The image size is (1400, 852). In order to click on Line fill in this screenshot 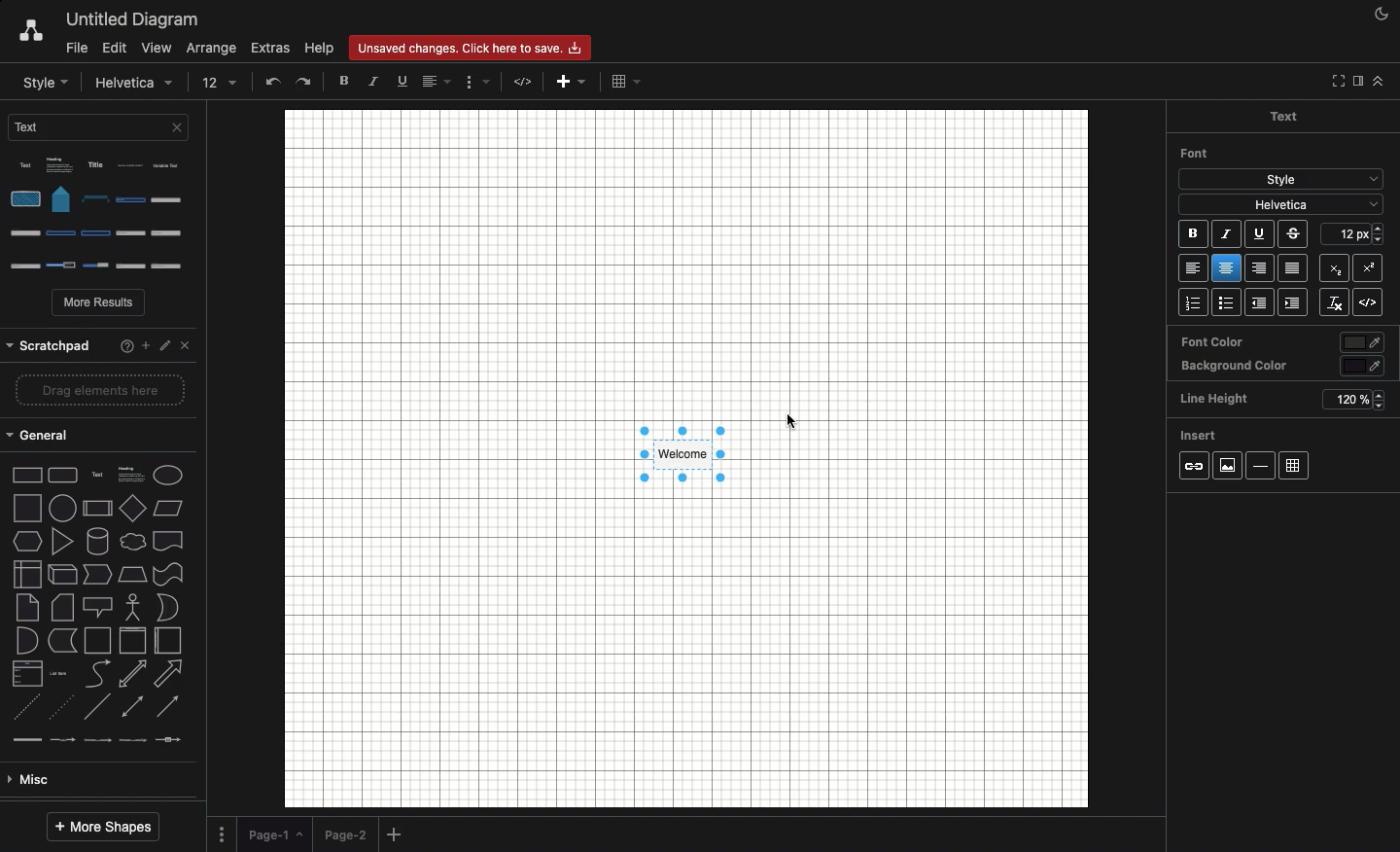, I will do `click(448, 81)`.